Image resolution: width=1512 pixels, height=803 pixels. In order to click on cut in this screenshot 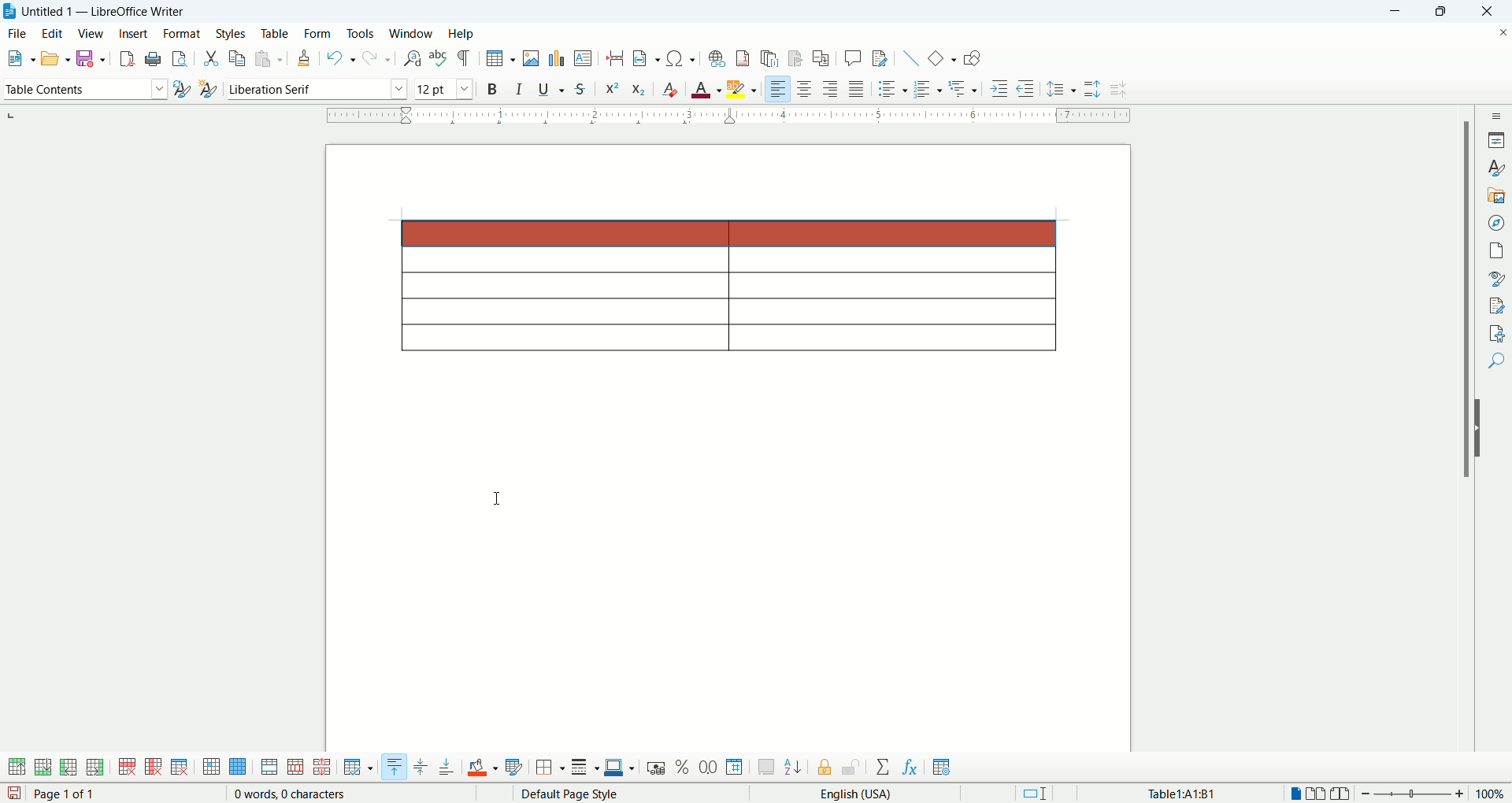, I will do `click(212, 60)`.